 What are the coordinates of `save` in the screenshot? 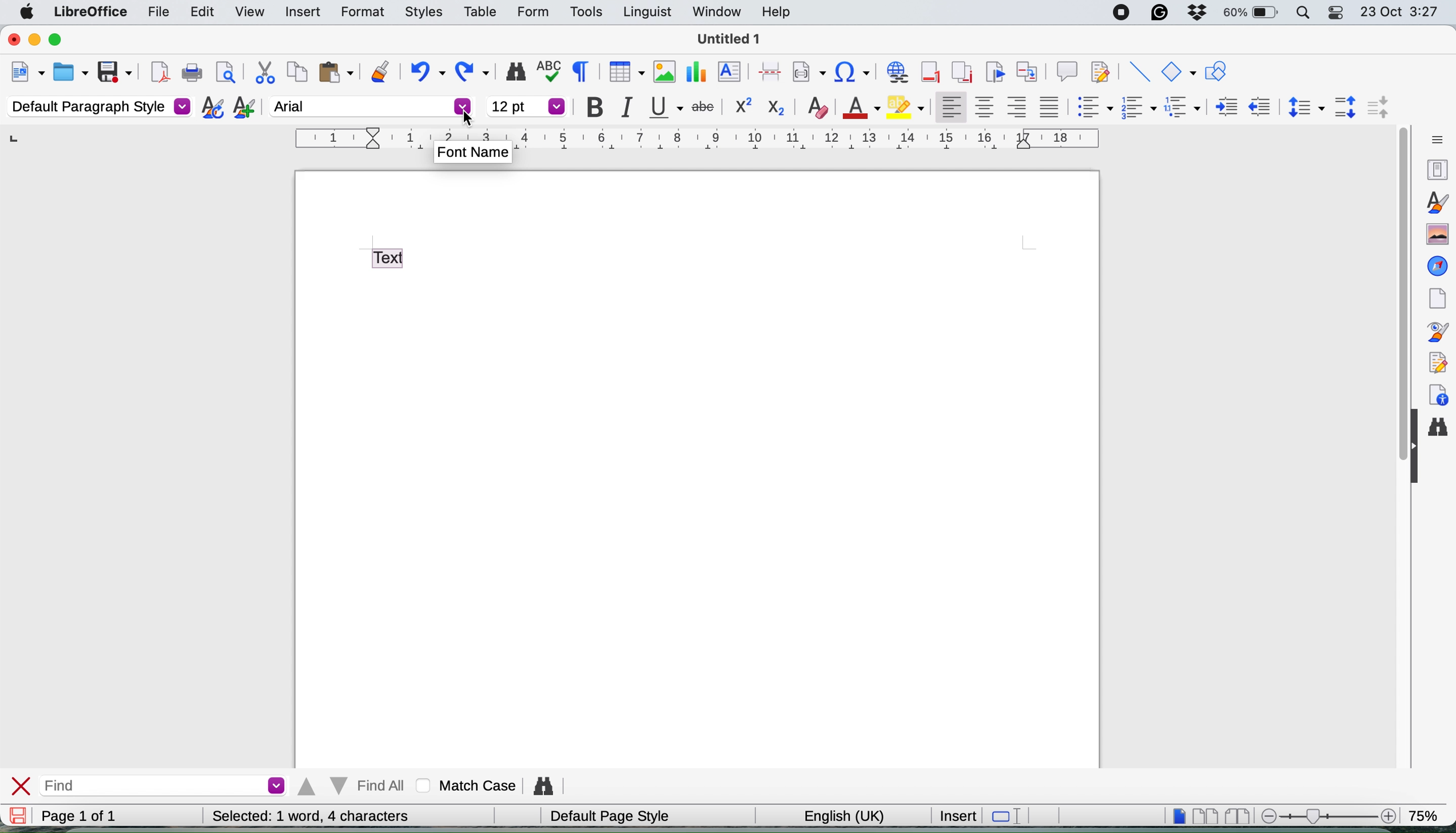 It's located at (19, 815).